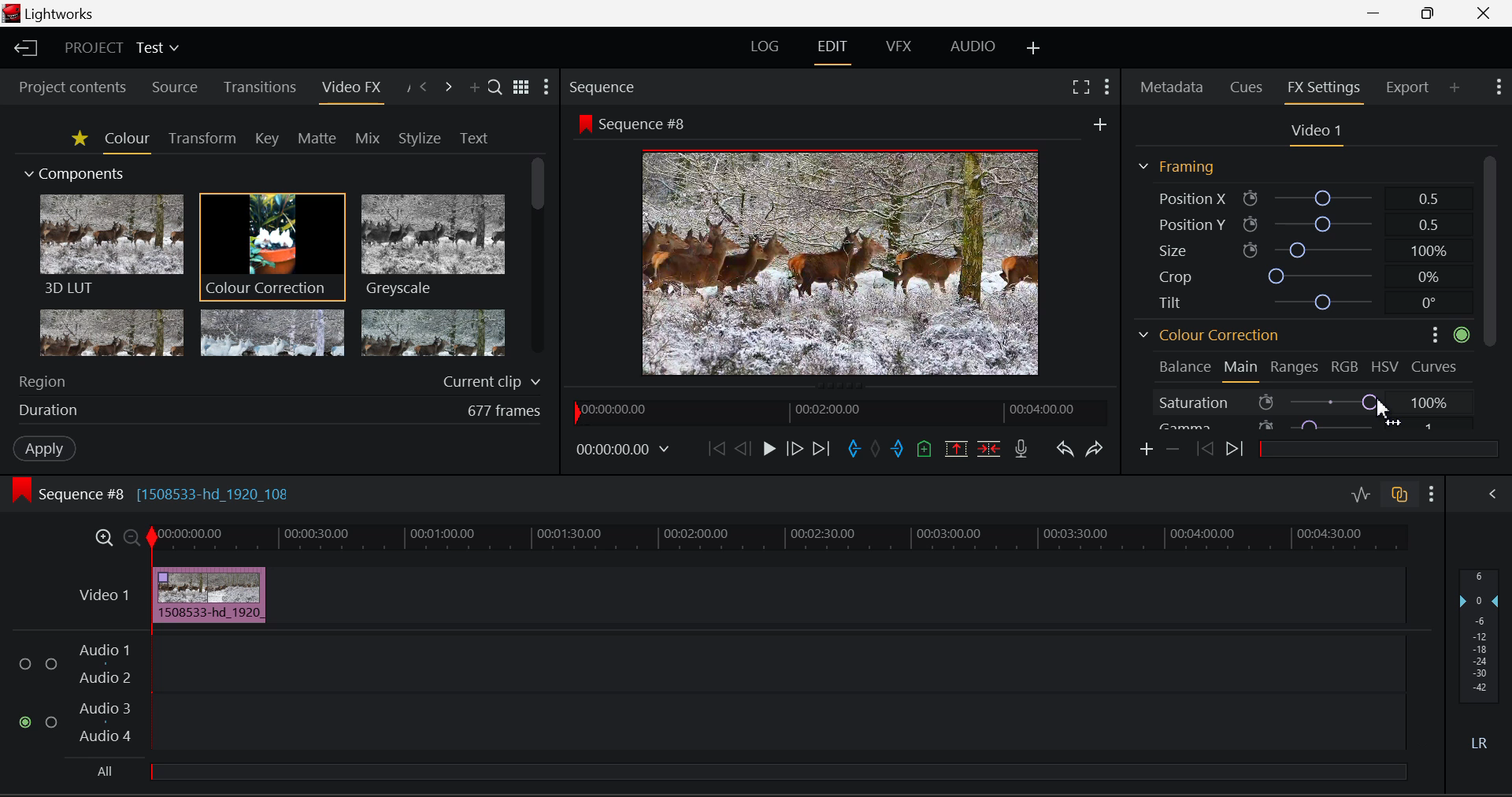 The height and width of the screenshot is (797, 1512). I want to click on Add Panel, so click(472, 87).